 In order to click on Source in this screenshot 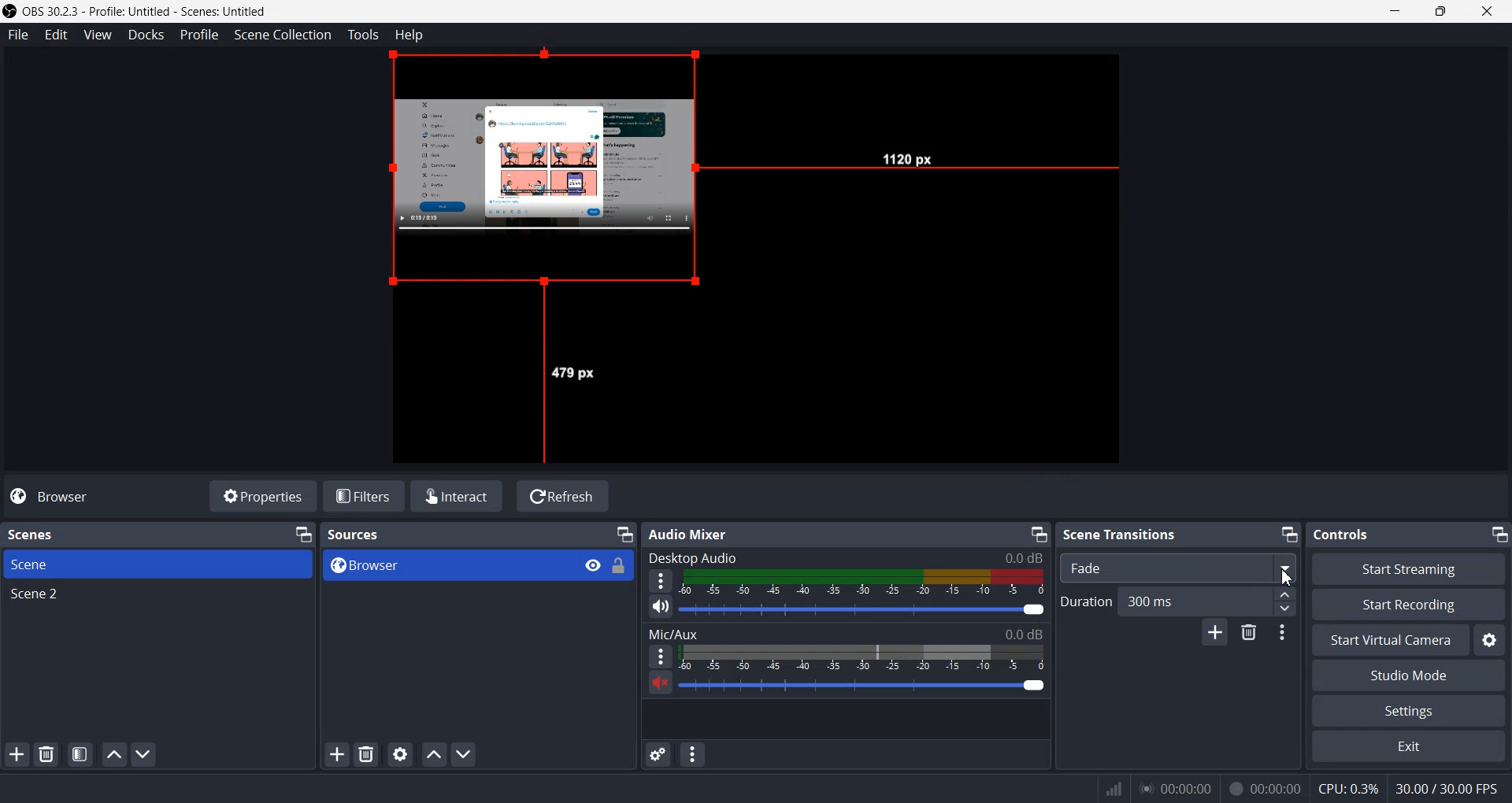, I will do `click(553, 172)`.